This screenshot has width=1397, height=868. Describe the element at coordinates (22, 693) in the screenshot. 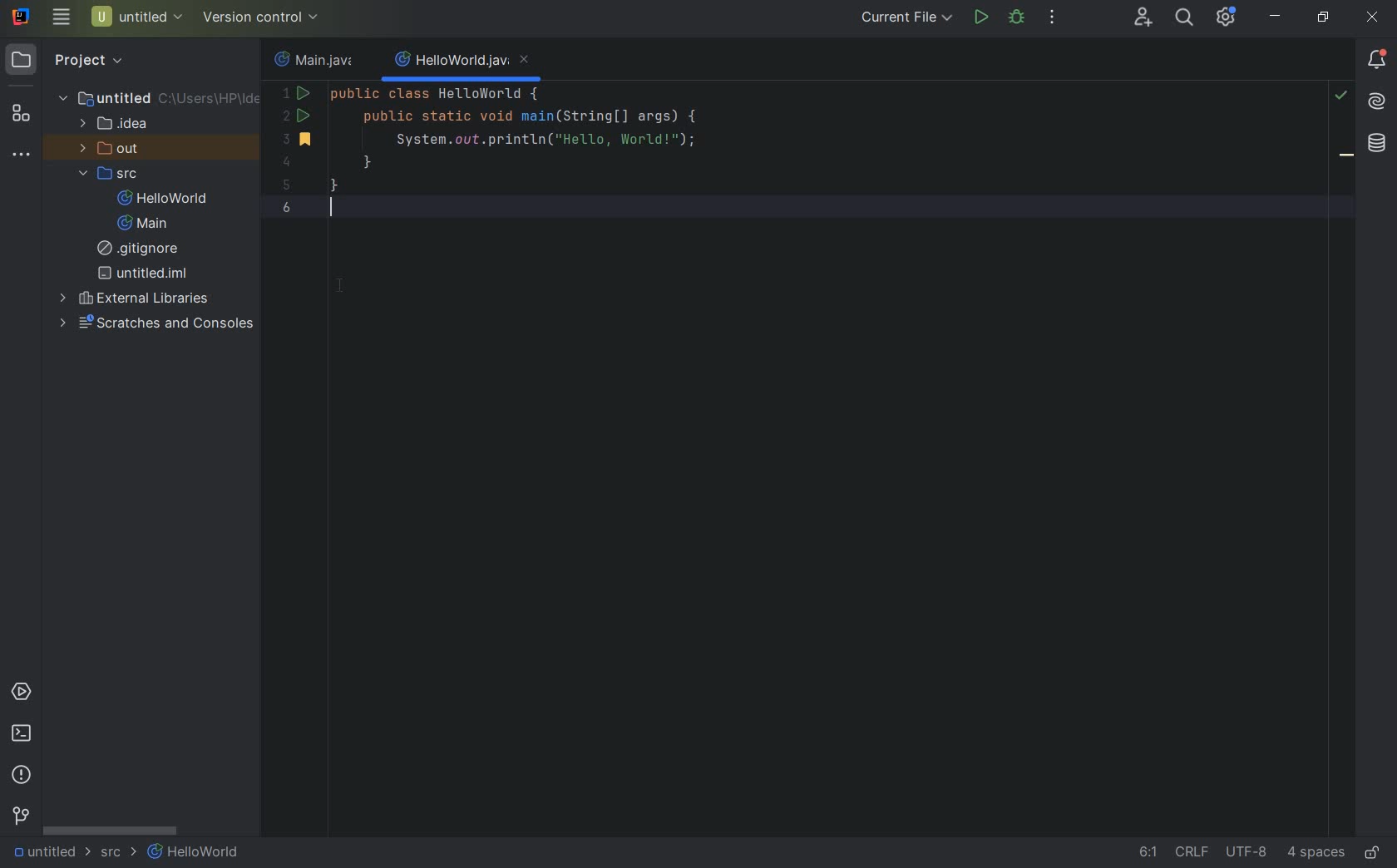

I see `services` at that location.